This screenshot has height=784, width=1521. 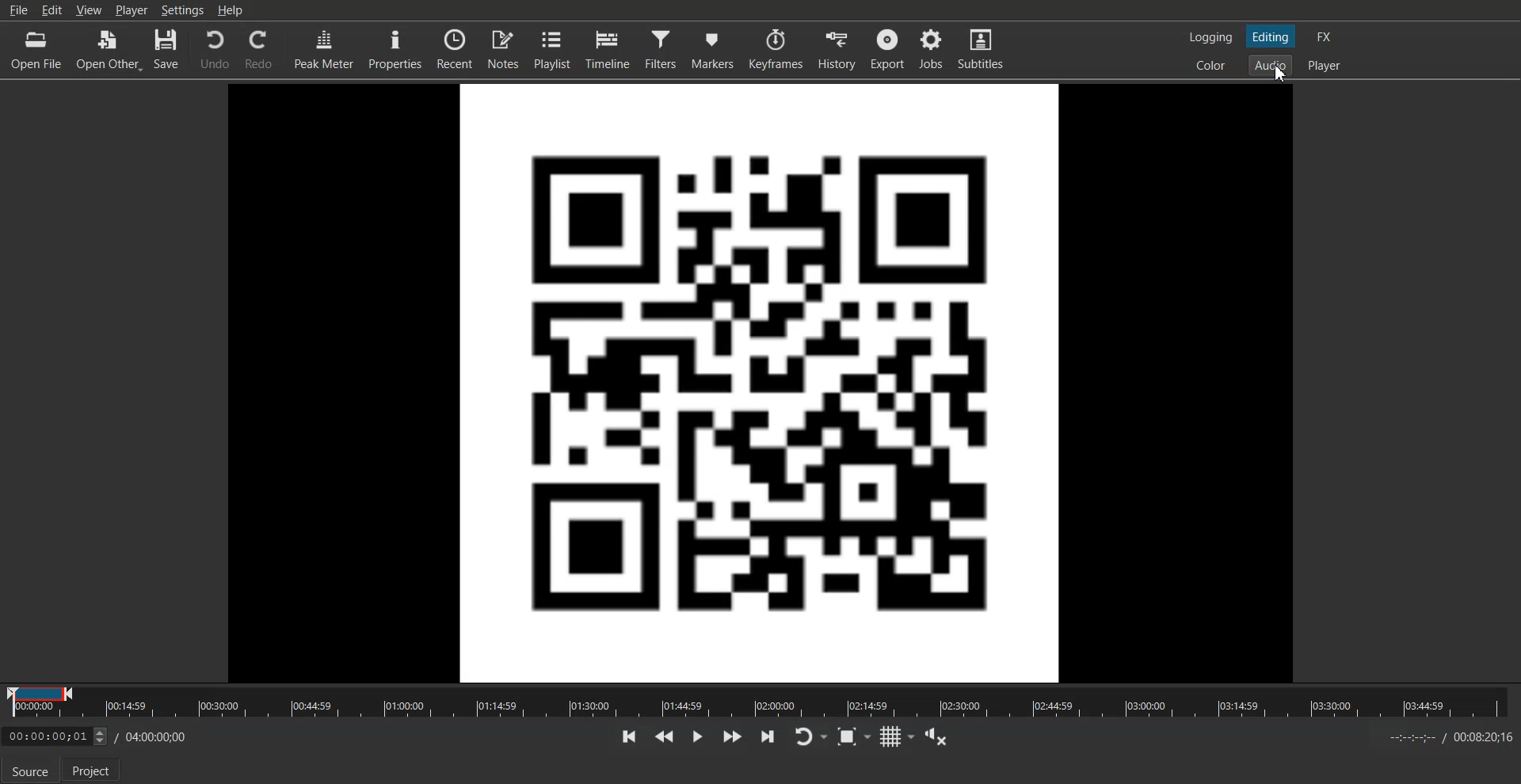 I want to click on Timeline Slider, so click(x=760, y=702).